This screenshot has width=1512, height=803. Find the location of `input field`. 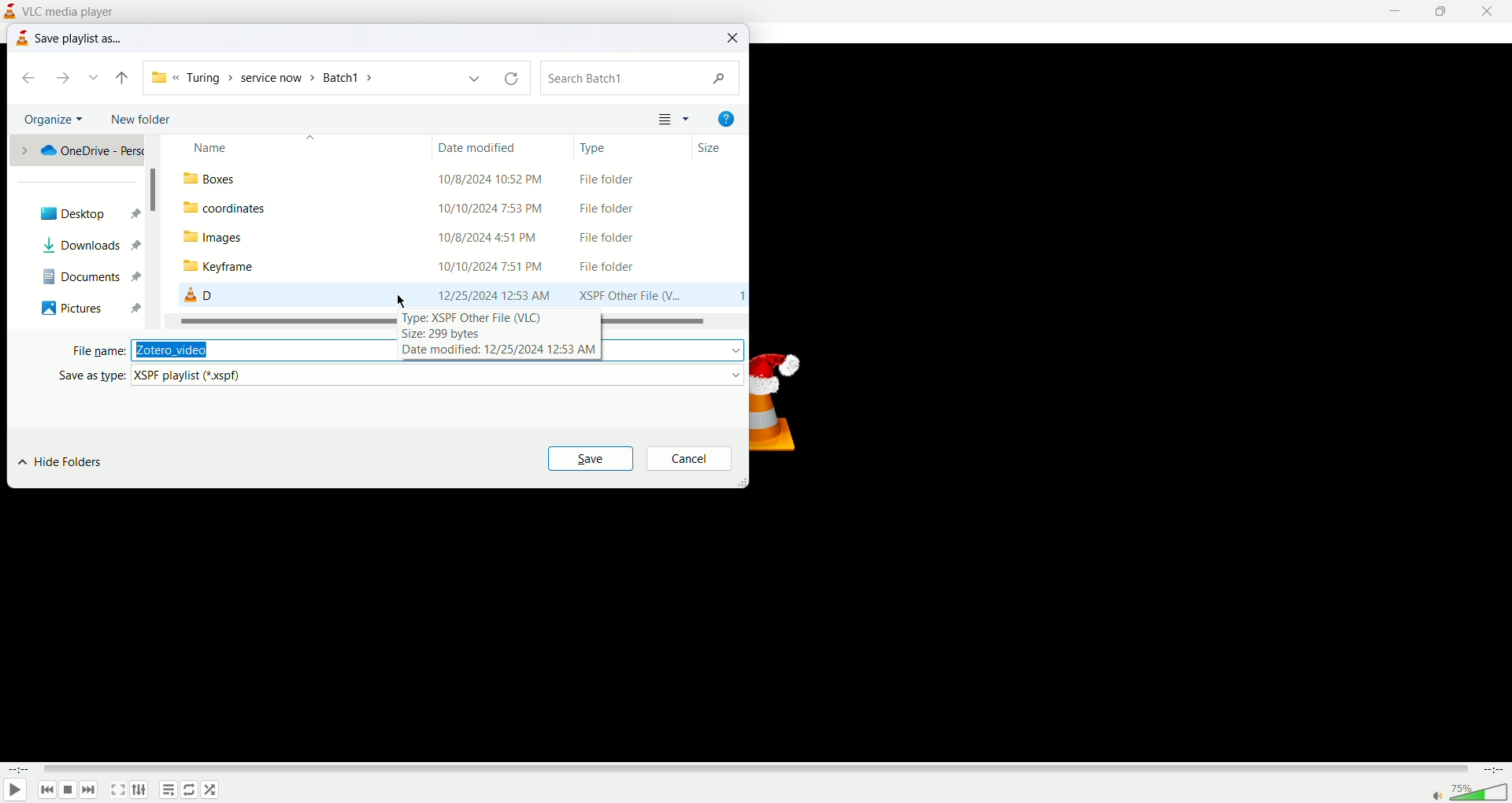

input field is located at coordinates (262, 349).